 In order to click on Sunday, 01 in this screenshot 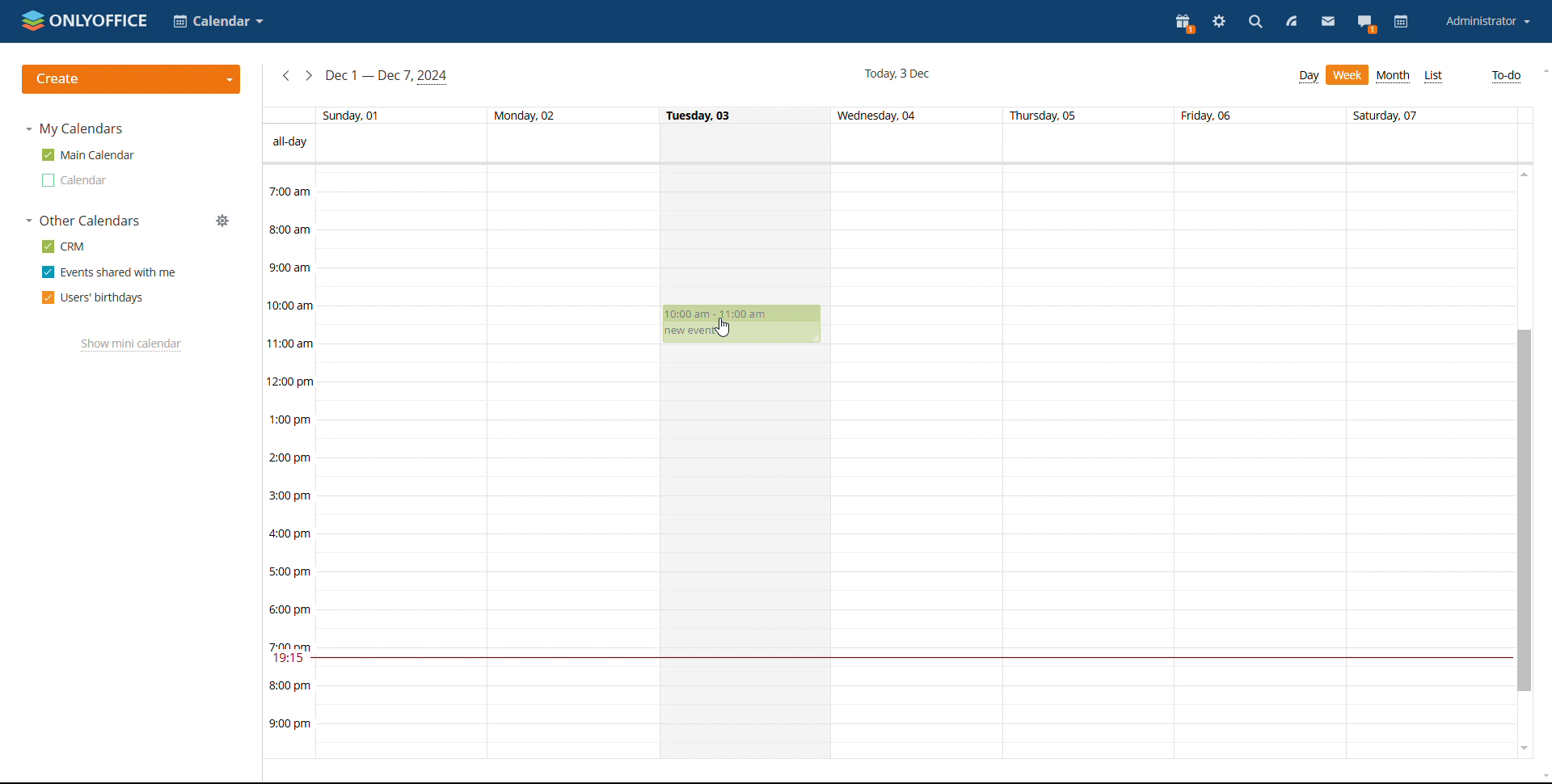, I will do `click(353, 114)`.